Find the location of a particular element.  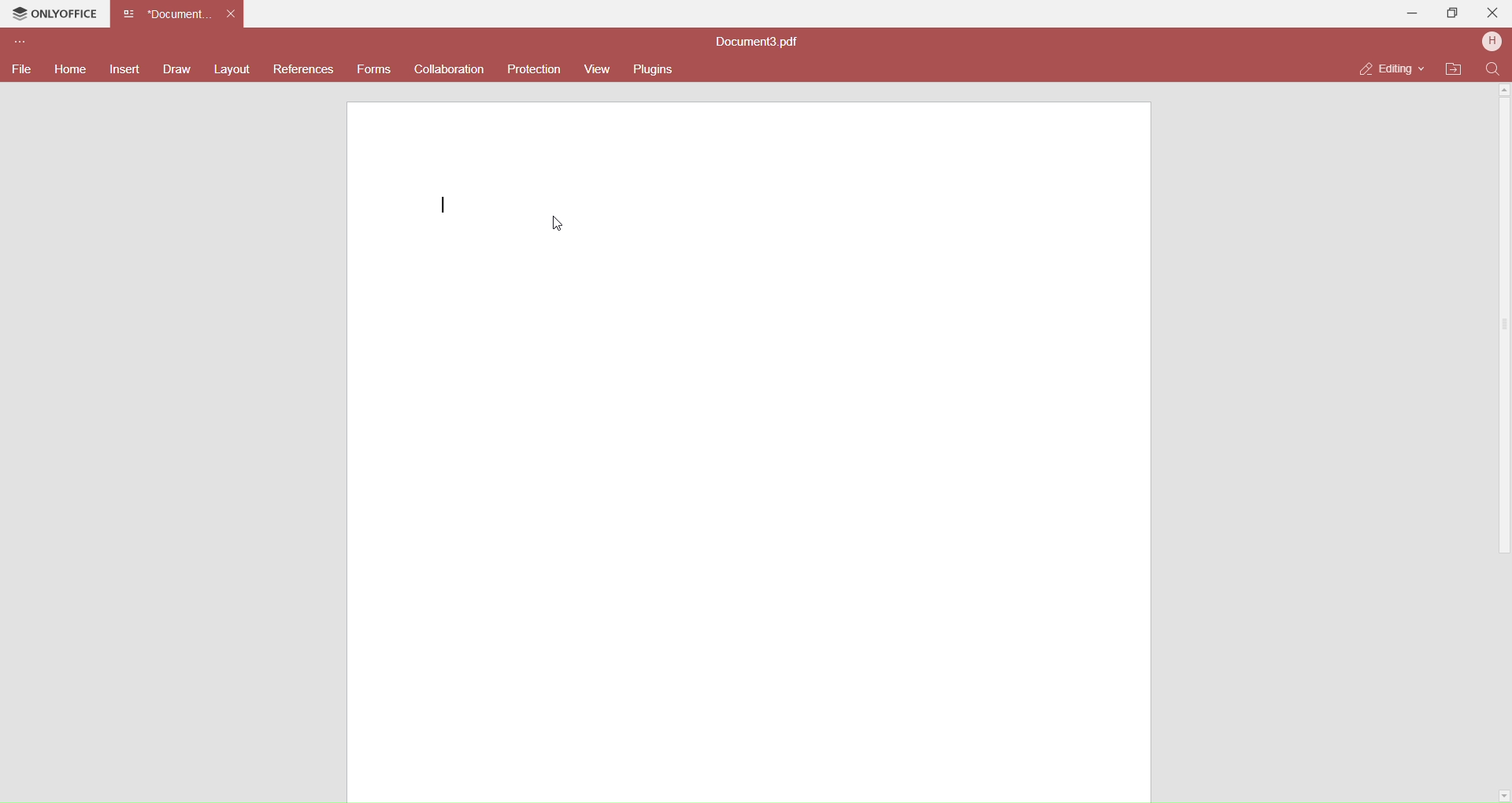

Collaboration is located at coordinates (451, 69).